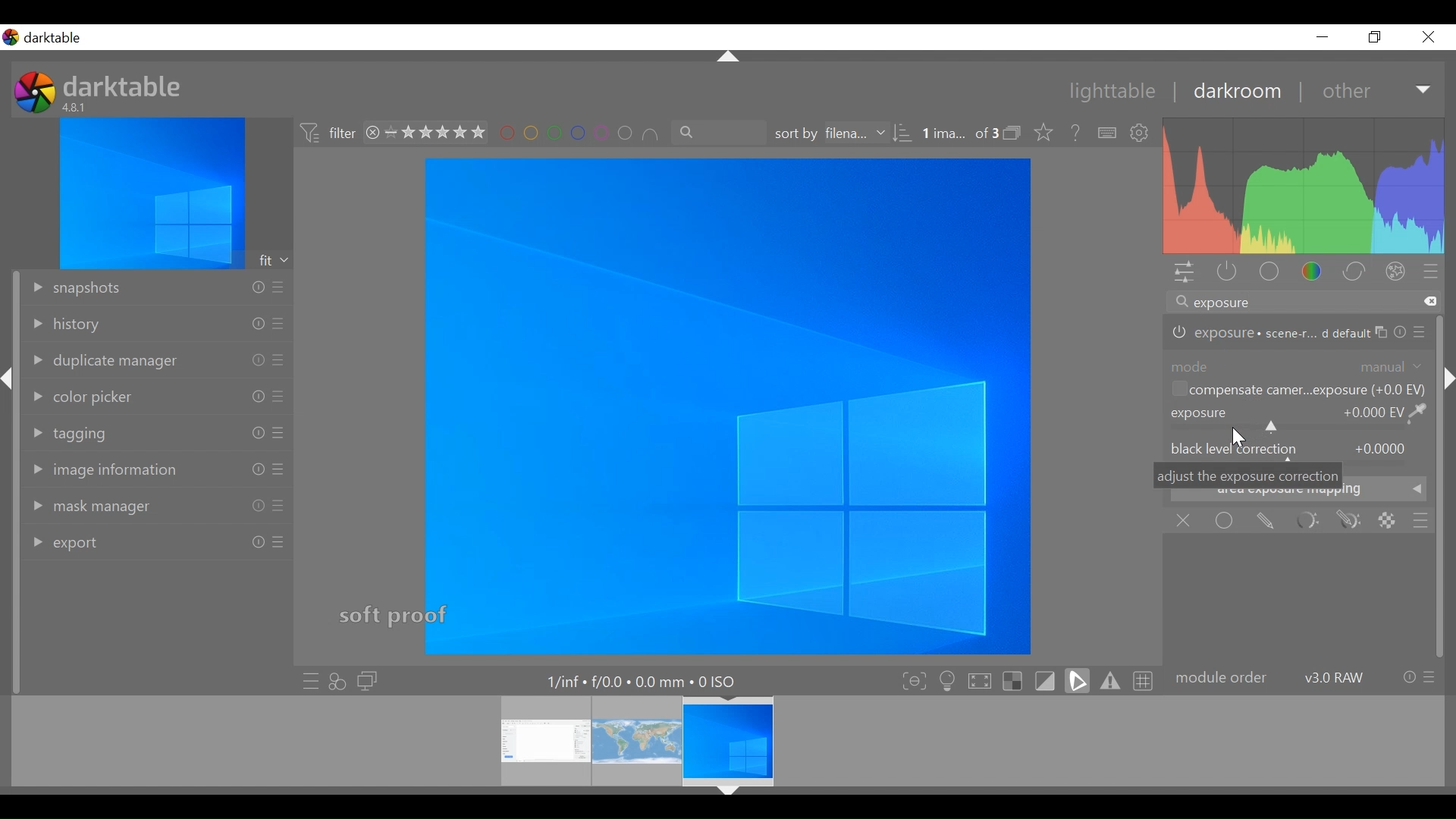  Describe the element at coordinates (257, 287) in the screenshot. I see `info` at that location.